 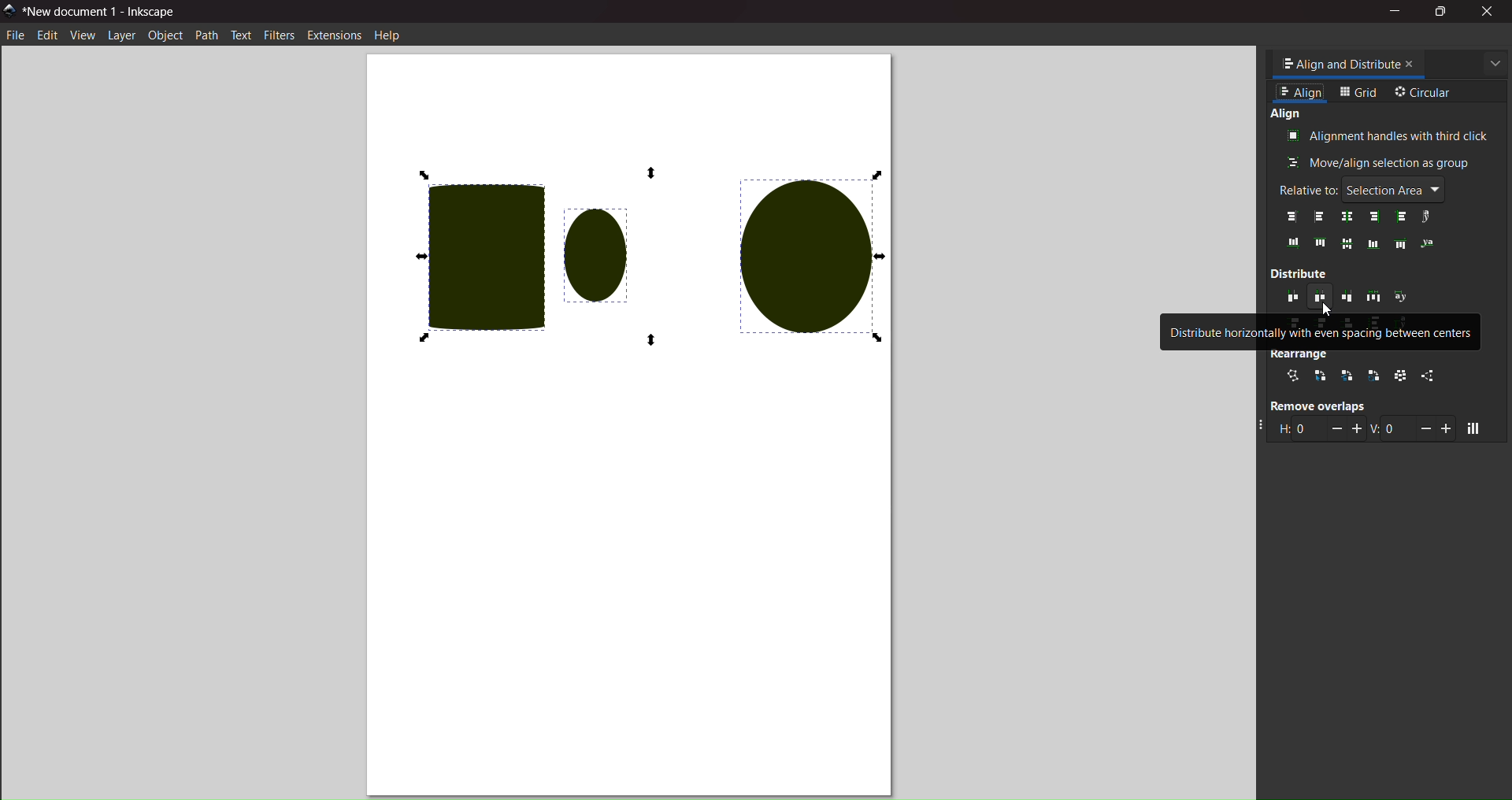 I want to click on selection order, so click(x=1320, y=375).